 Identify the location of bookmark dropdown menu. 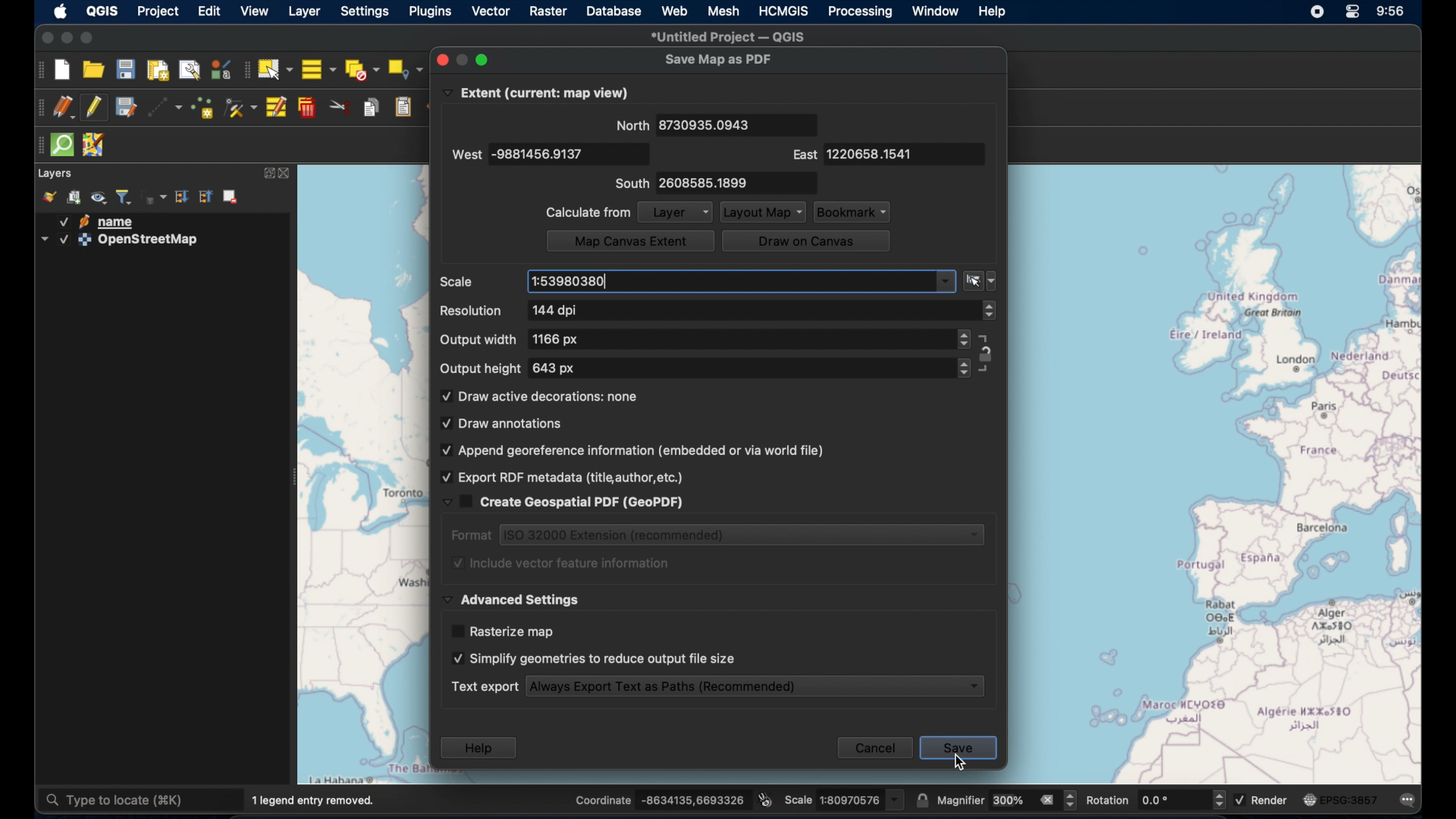
(853, 212).